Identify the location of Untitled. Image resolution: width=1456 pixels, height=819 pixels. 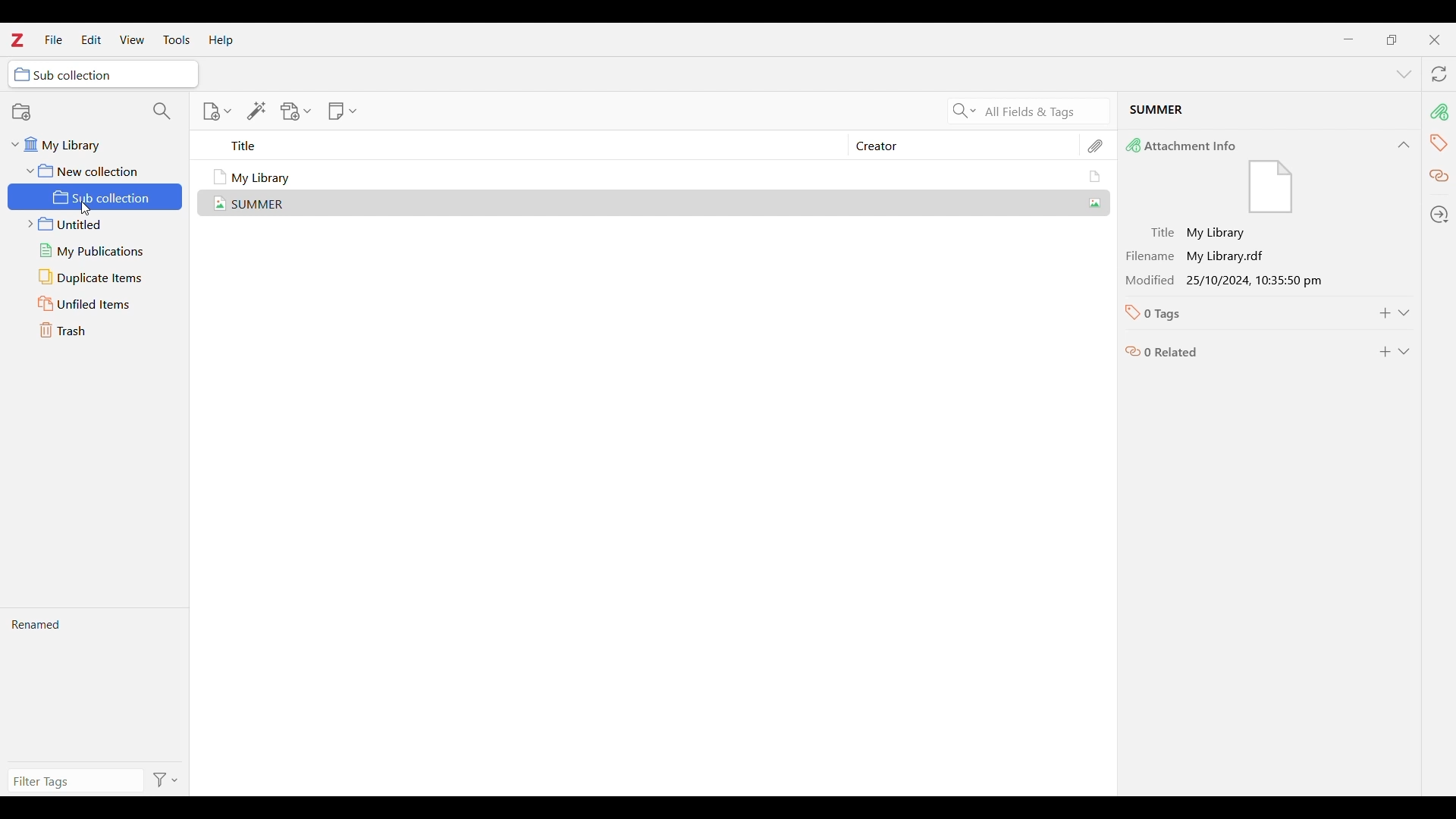
(96, 224).